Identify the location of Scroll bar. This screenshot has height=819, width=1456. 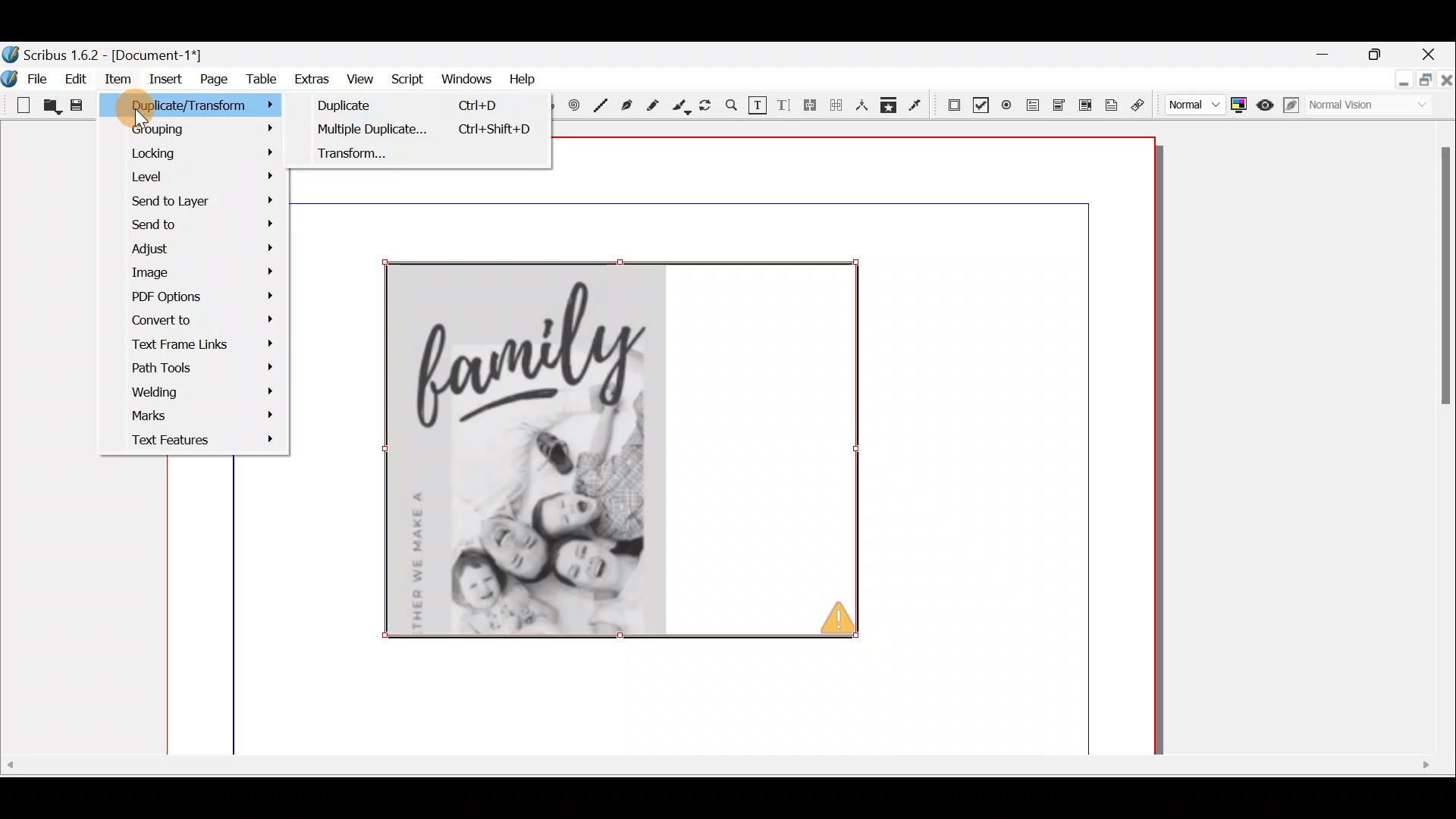
(1434, 444).